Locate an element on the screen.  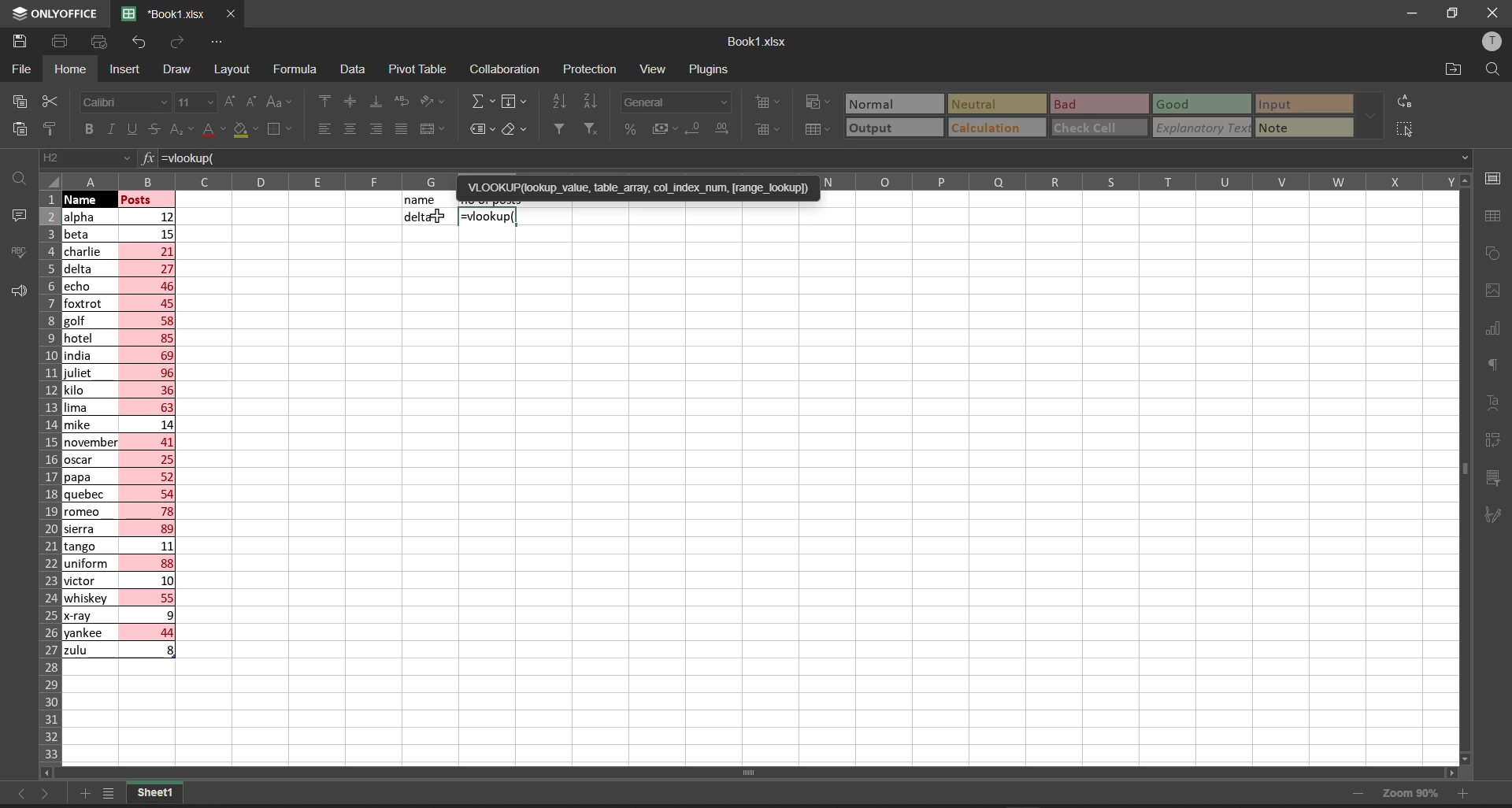
check cell is located at coordinates (1092, 128).